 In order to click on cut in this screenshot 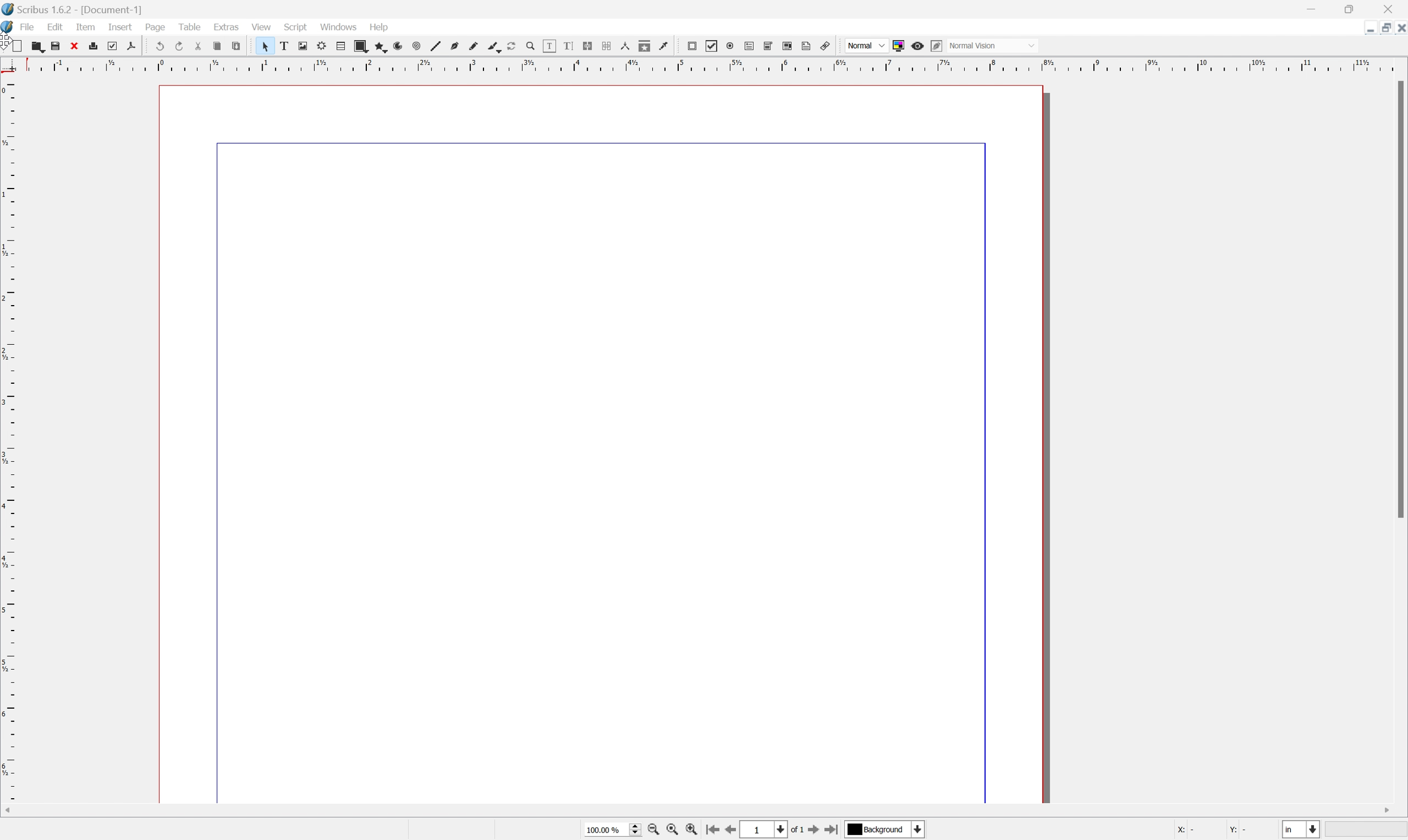, I will do `click(199, 46)`.